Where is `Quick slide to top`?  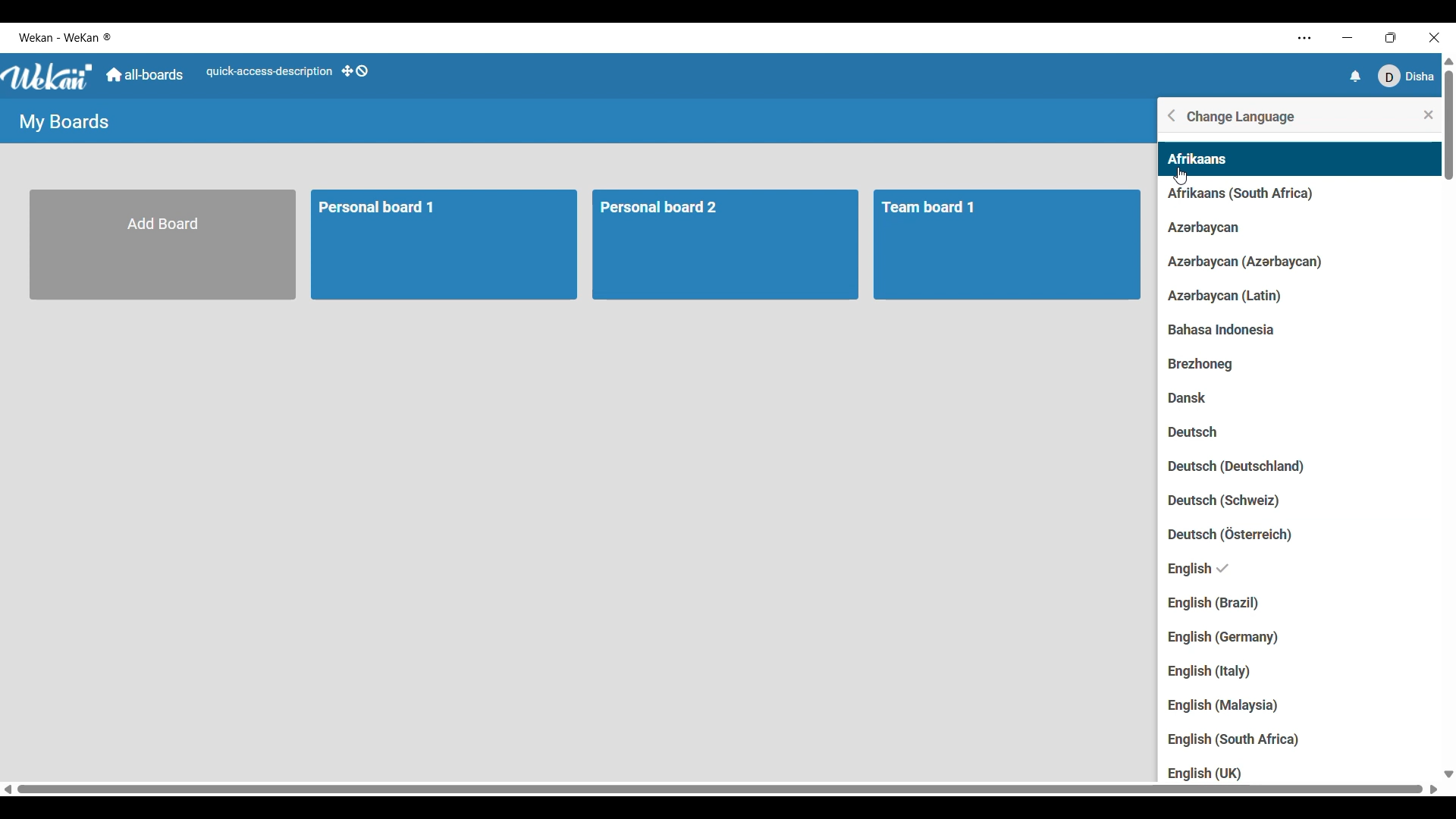 Quick slide to top is located at coordinates (1448, 61).